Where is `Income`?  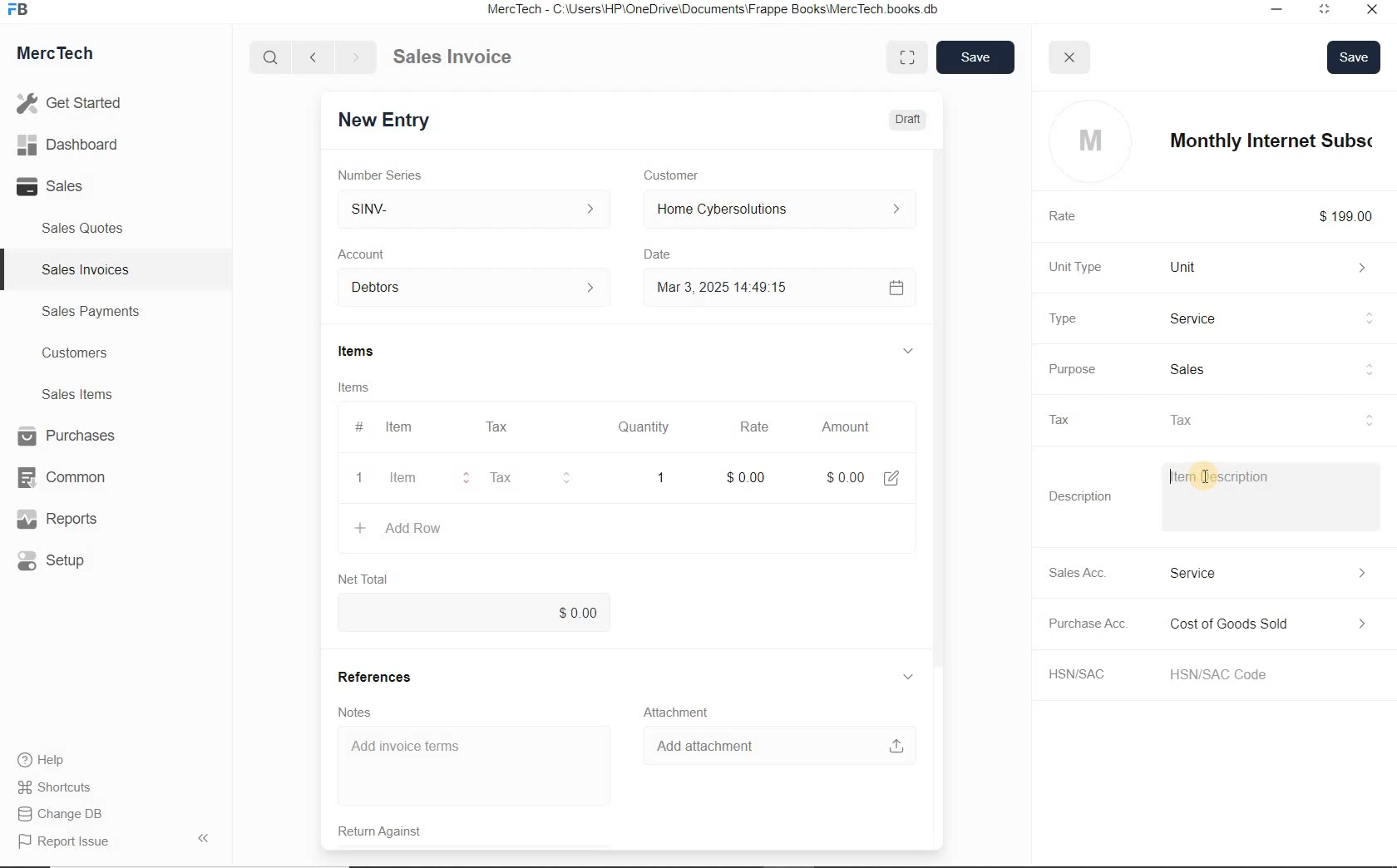 Income is located at coordinates (1264, 572).